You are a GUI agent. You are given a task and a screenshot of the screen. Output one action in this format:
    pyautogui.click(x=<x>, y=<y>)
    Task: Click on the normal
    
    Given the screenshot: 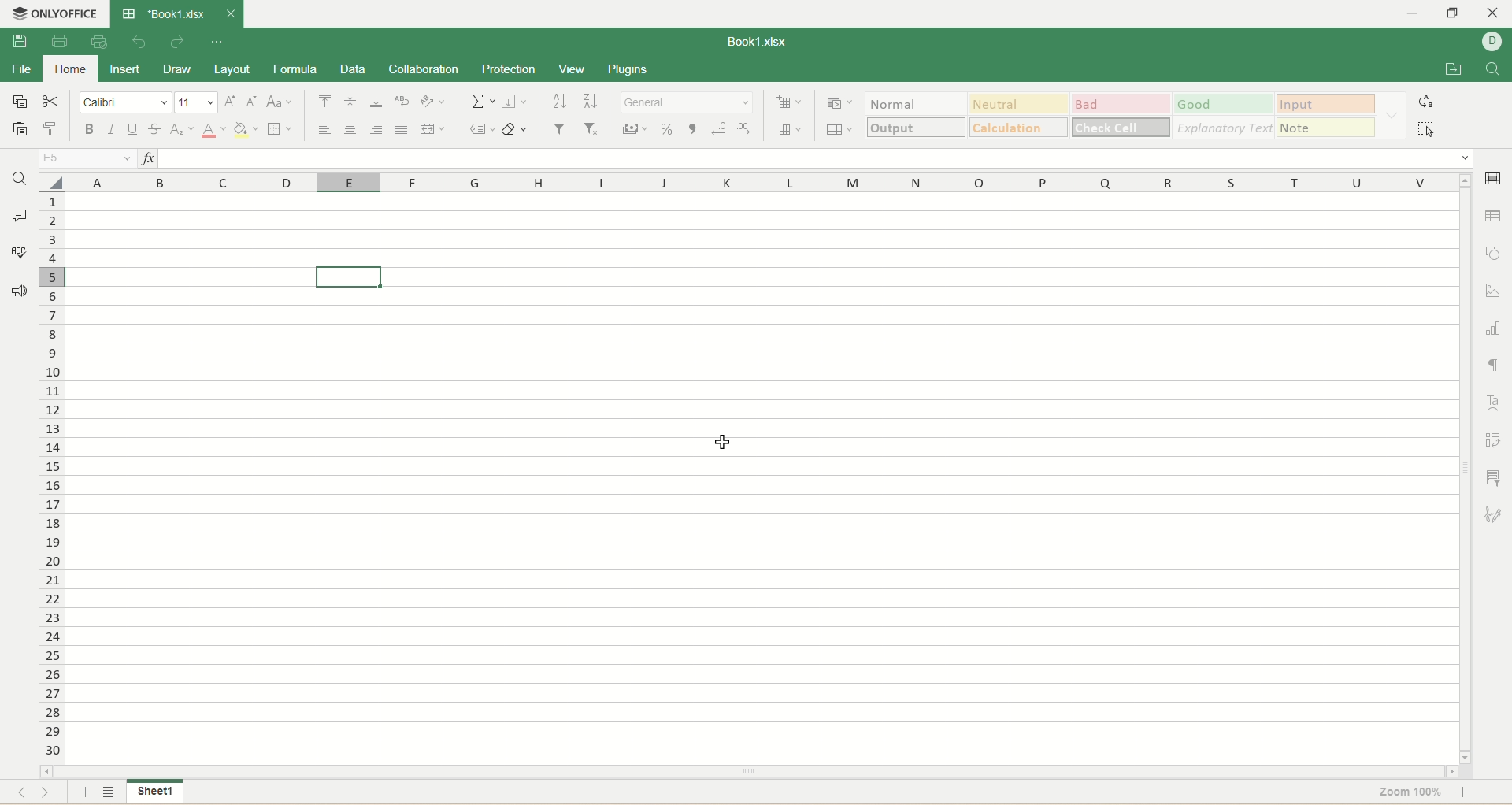 What is the action you would take?
    pyautogui.click(x=914, y=104)
    